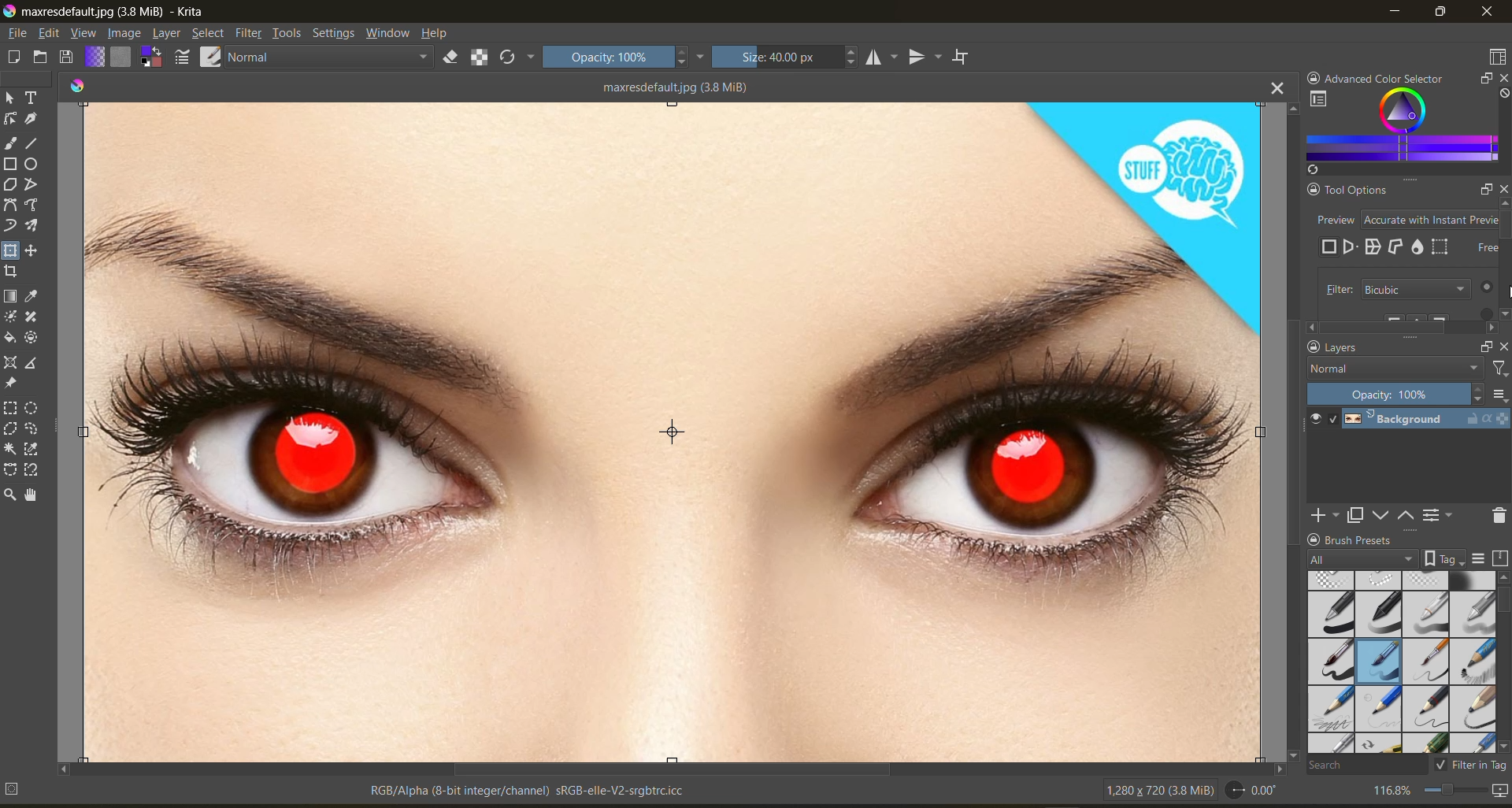  Describe the element at coordinates (1459, 788) in the screenshot. I see `zoom` at that location.